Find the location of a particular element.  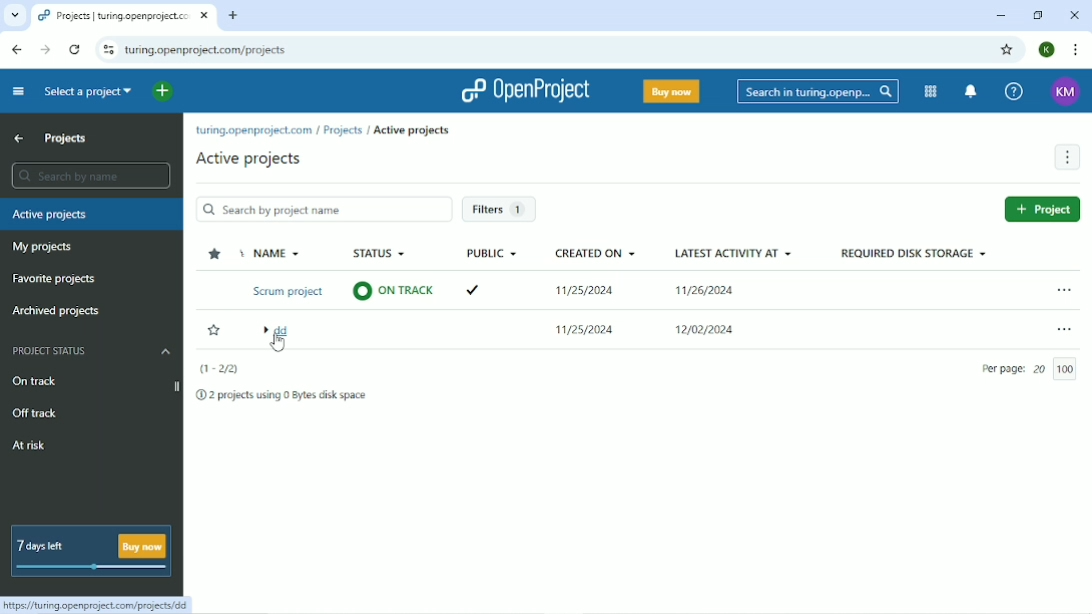

Off track is located at coordinates (38, 414).